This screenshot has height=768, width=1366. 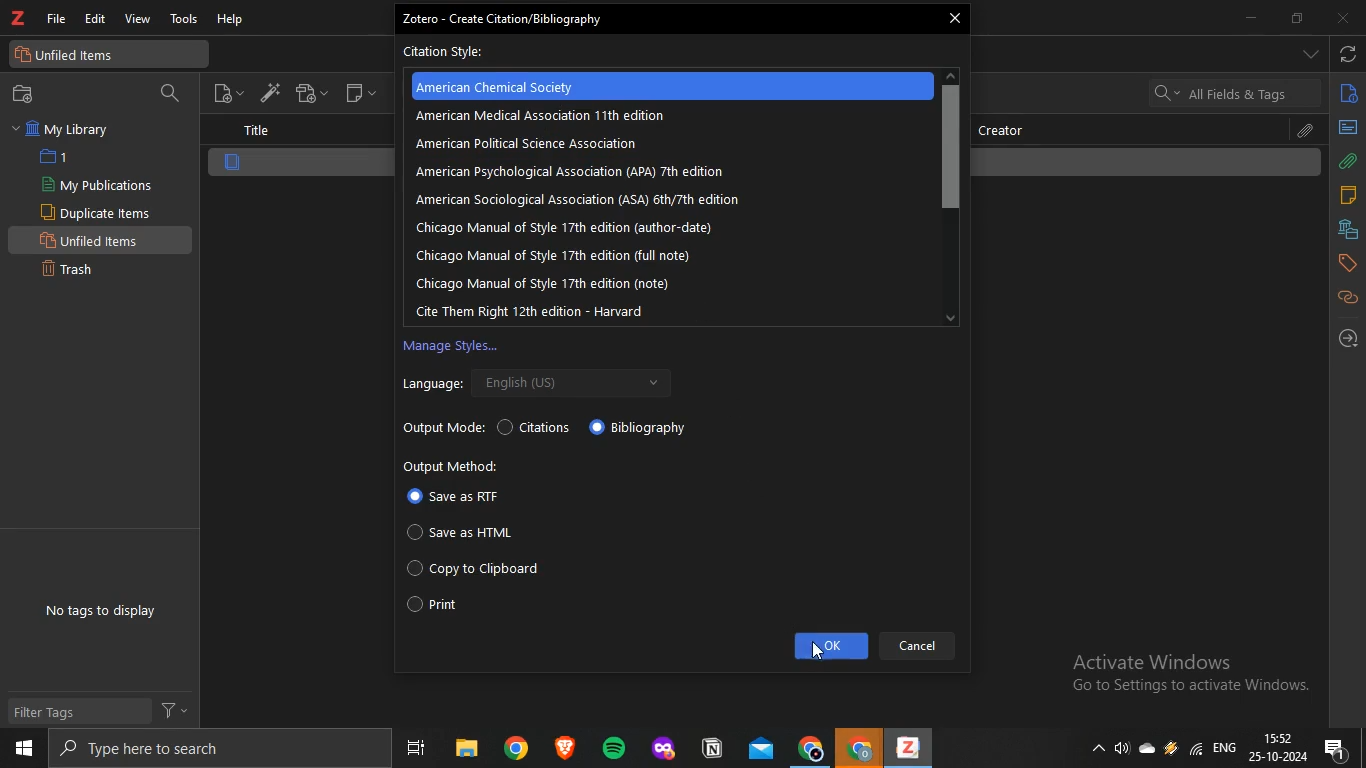 I want to click on close, so click(x=1341, y=19).